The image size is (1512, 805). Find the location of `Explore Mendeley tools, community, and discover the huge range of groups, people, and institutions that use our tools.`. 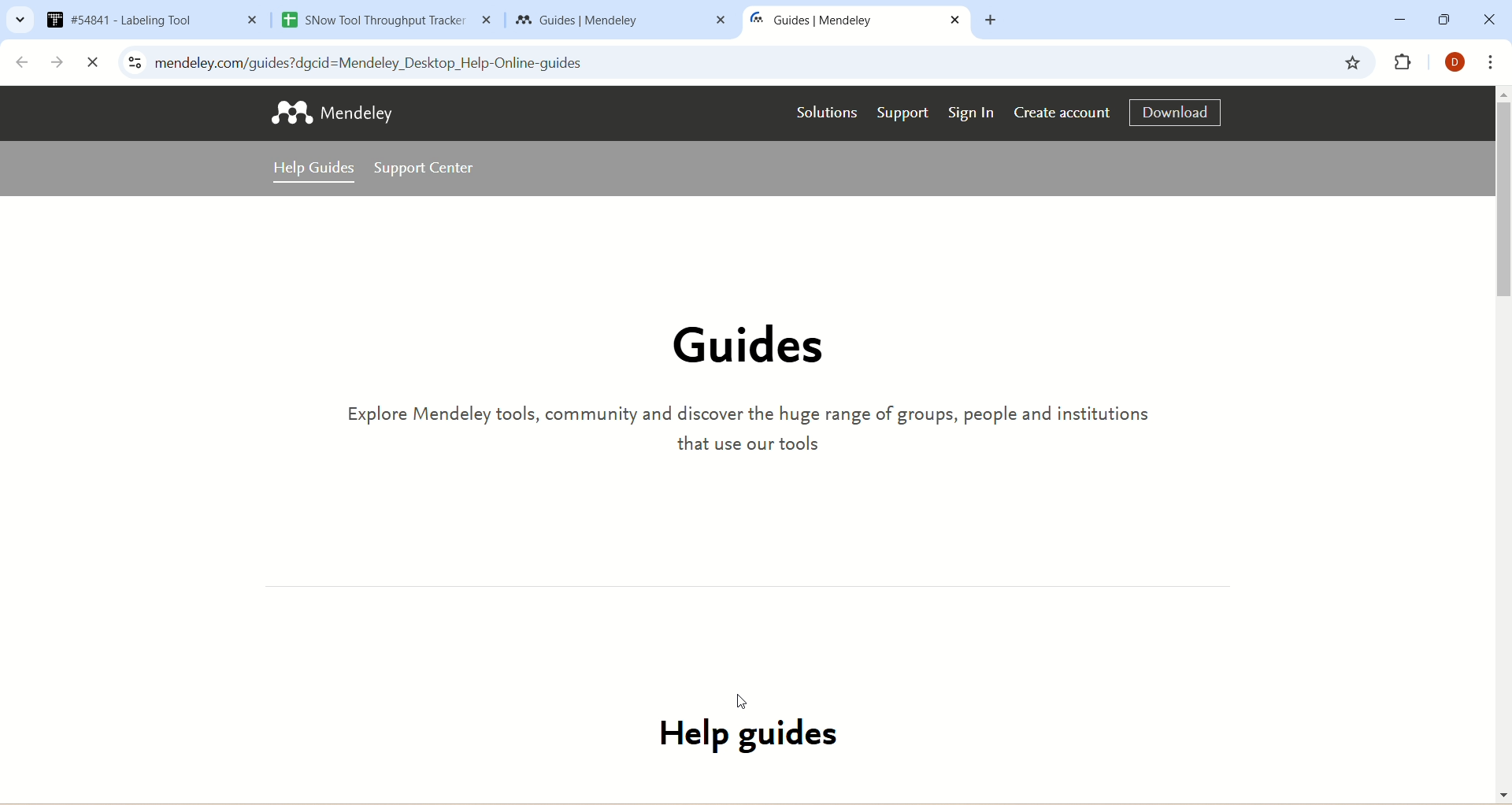

Explore Mendeley tools, community, and discover the huge range of groups, people, and institutions that use our tools. is located at coordinates (750, 428).